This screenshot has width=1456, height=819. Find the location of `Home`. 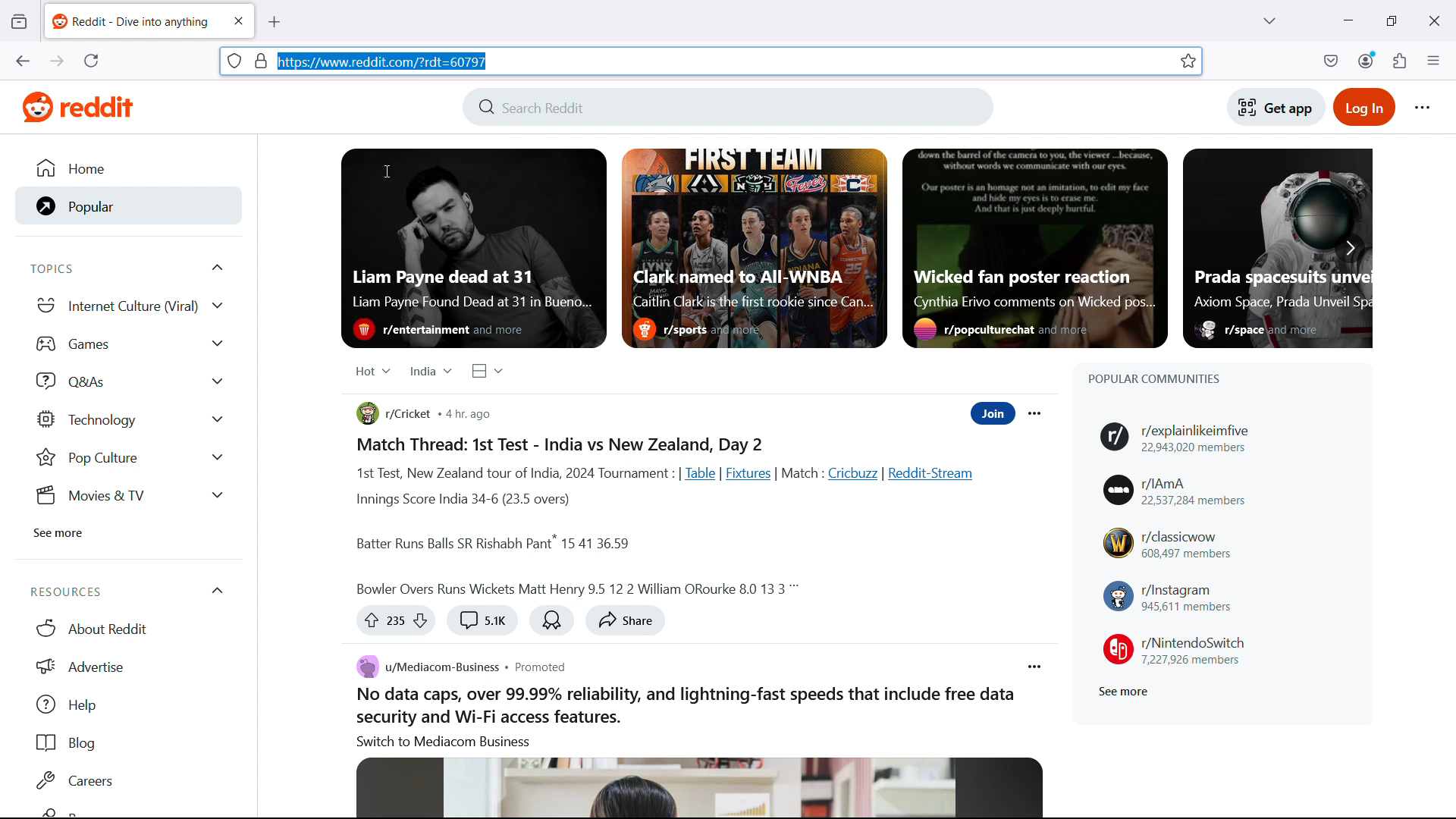

Home is located at coordinates (118, 170).